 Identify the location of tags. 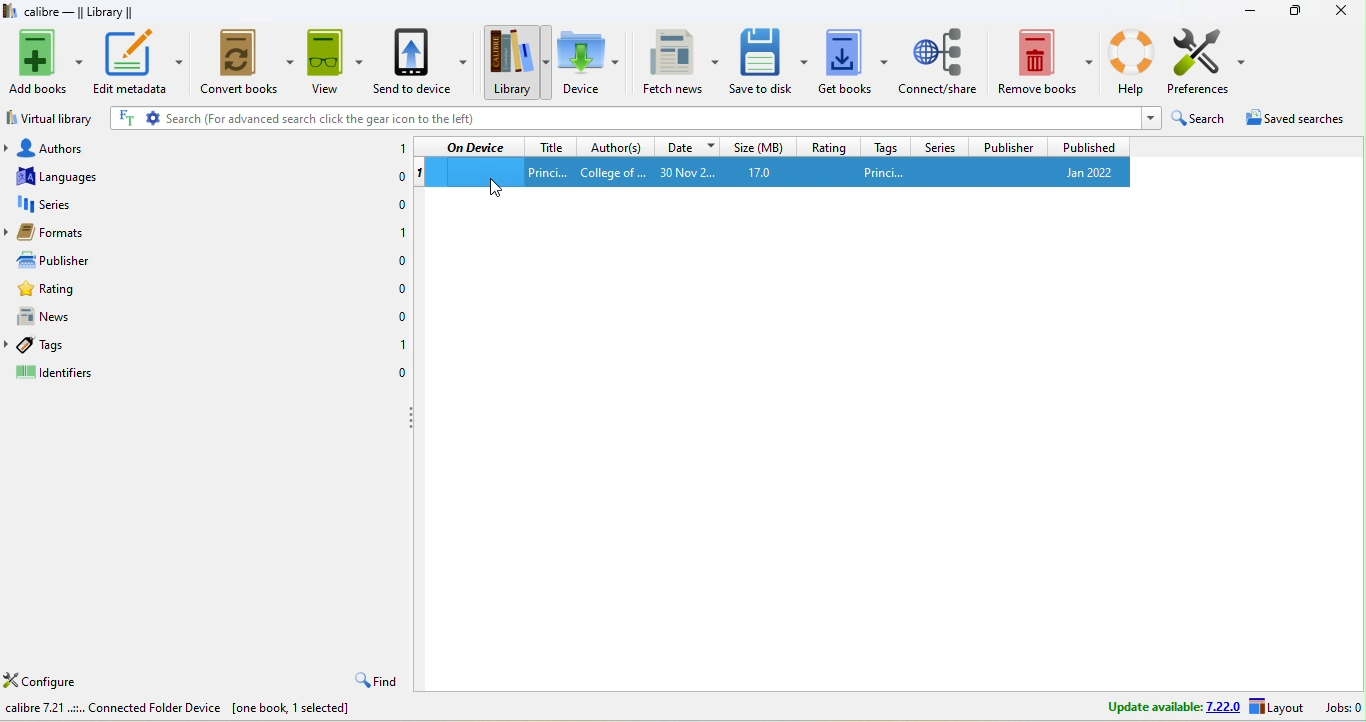
(882, 146).